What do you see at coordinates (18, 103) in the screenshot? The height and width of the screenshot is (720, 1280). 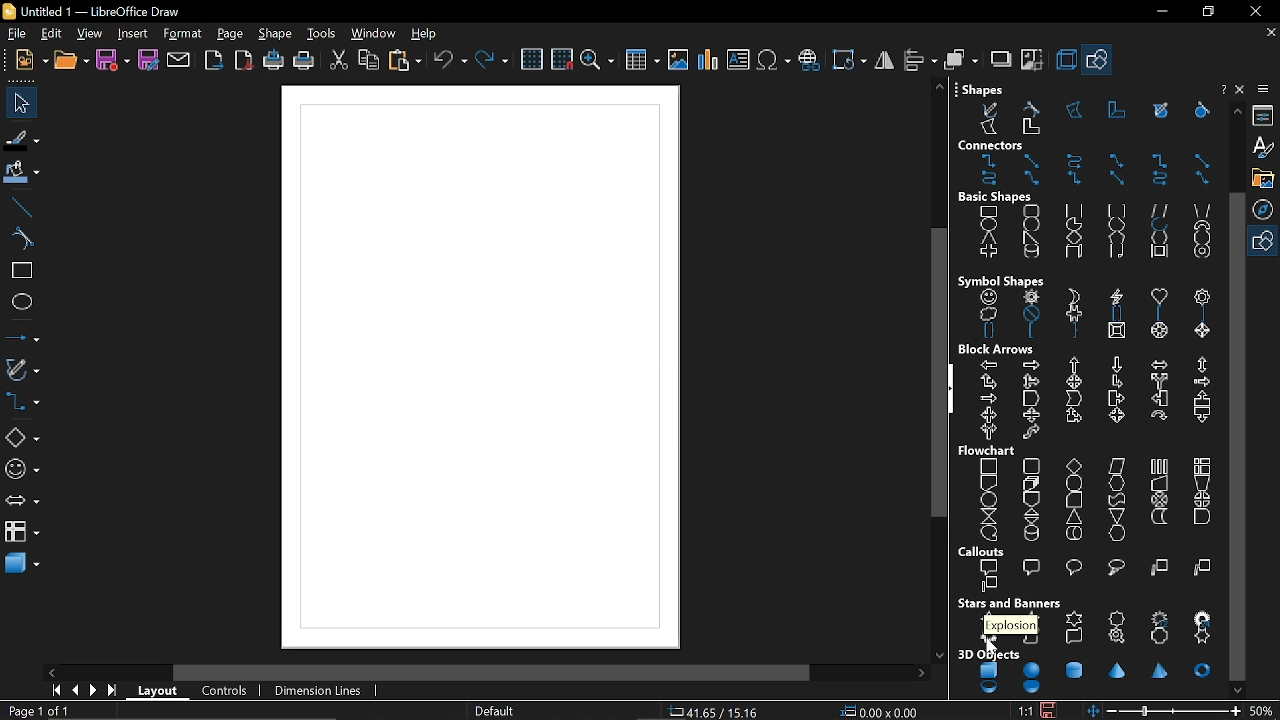 I see `select` at bounding box center [18, 103].